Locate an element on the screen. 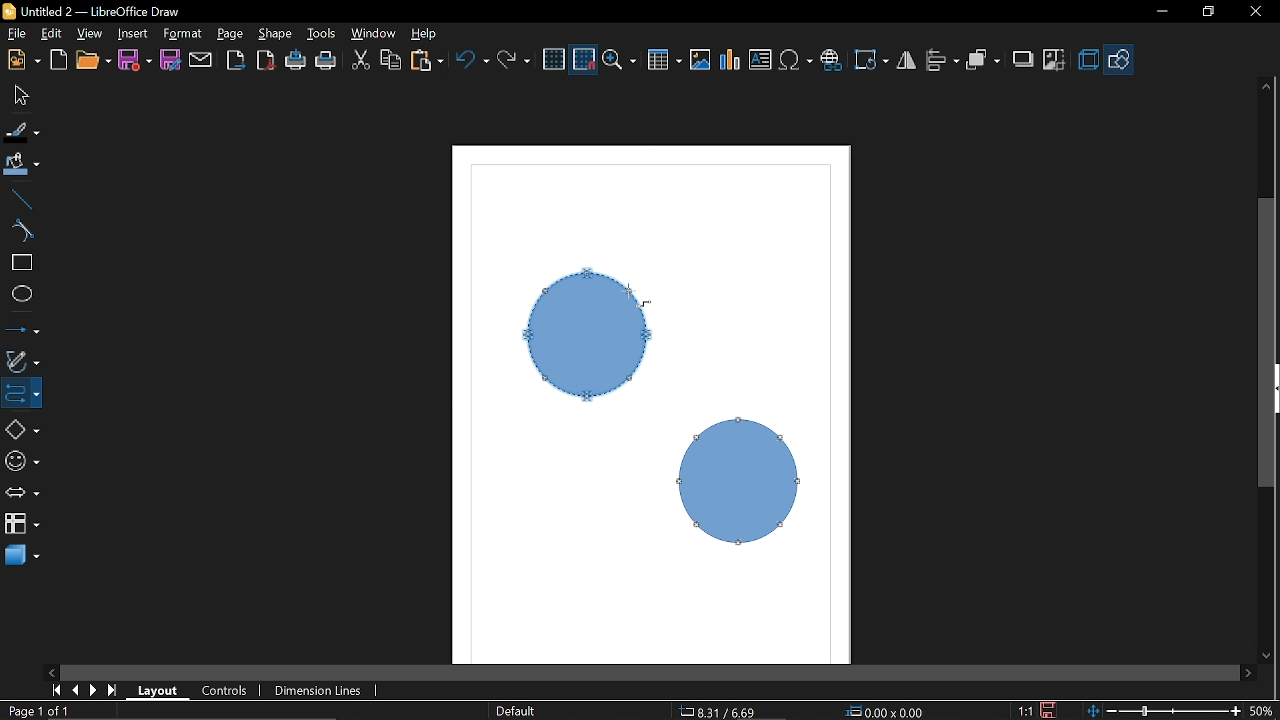 The height and width of the screenshot is (720, 1280). Current window is located at coordinates (92, 11).